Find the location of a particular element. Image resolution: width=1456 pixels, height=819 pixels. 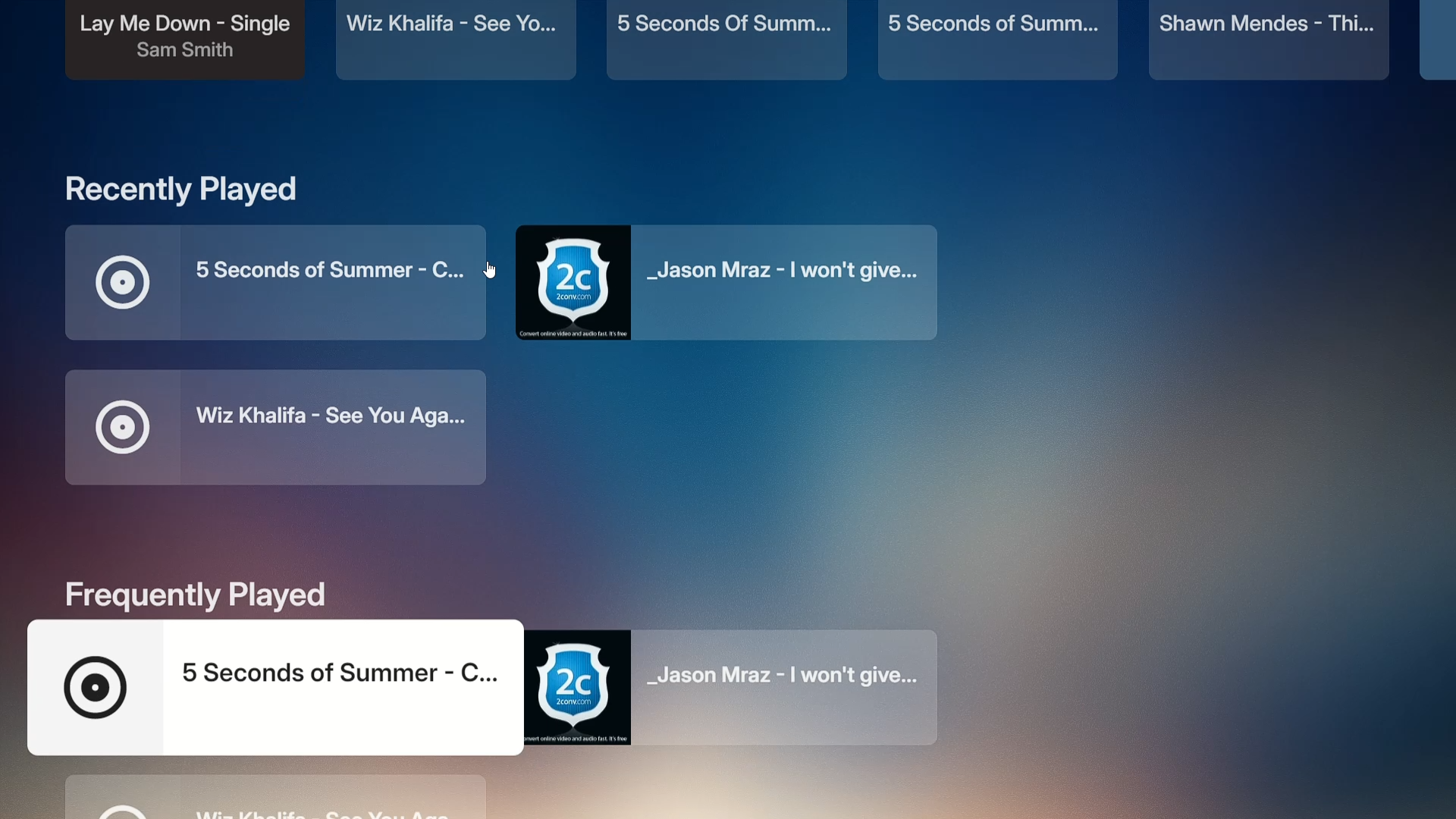

Jason Mraz is located at coordinates (743, 688).